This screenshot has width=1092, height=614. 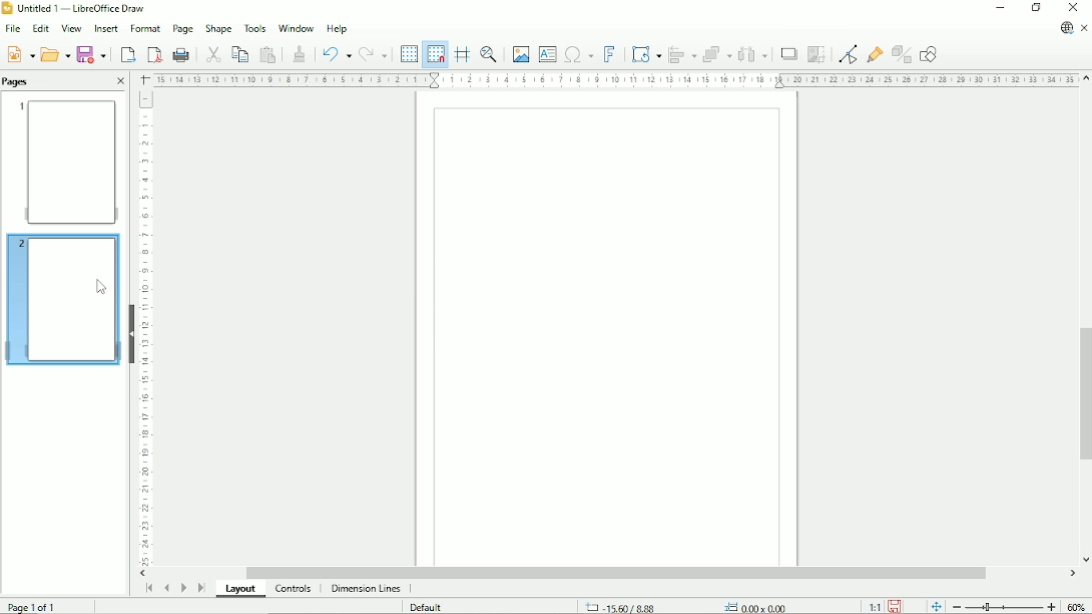 I want to click on Insert text box, so click(x=547, y=53).